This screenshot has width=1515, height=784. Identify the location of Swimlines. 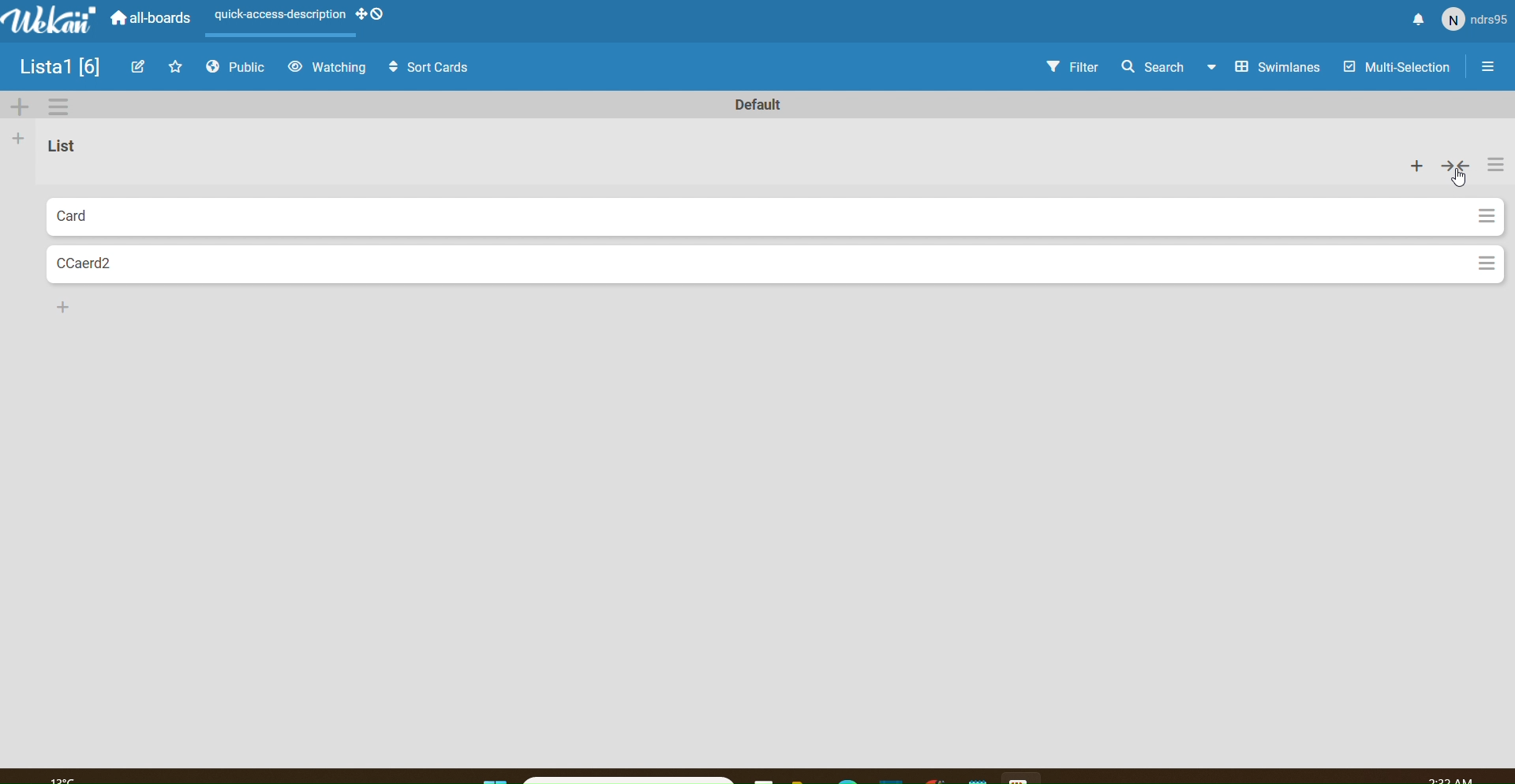
(1266, 68).